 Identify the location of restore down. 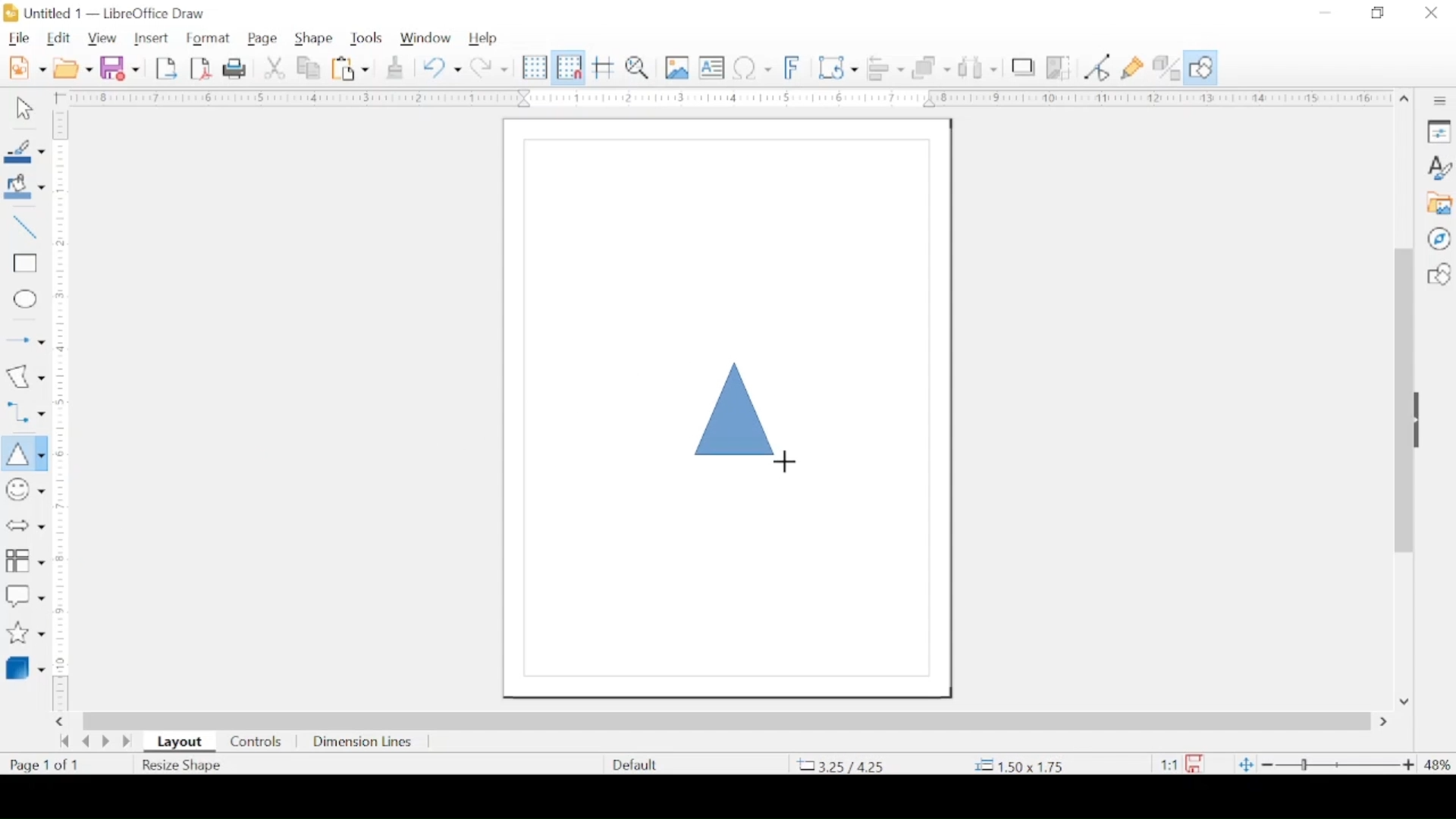
(1376, 13).